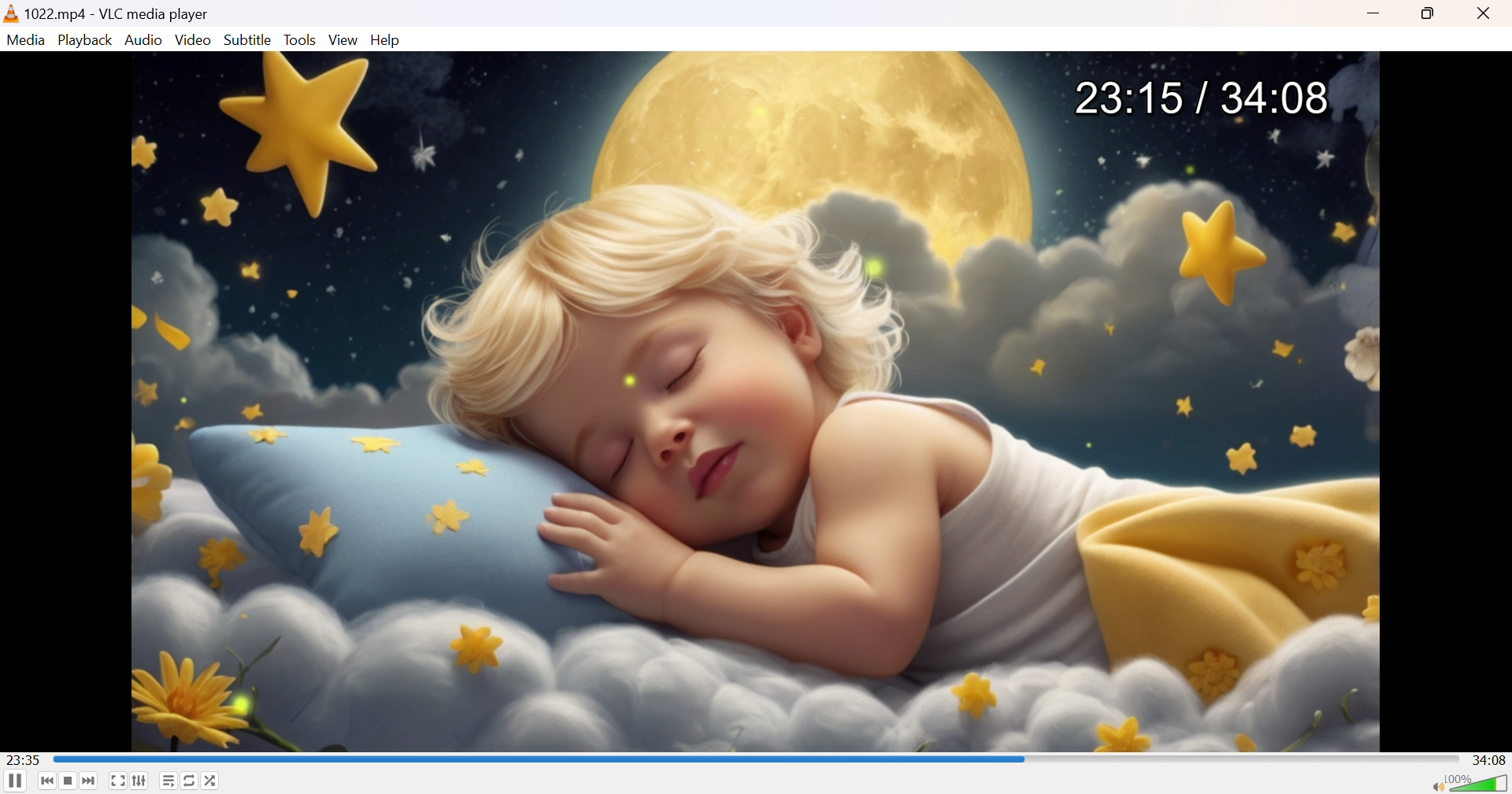  I want to click on Next media in the playlist, skip forward when held, so click(90, 782).